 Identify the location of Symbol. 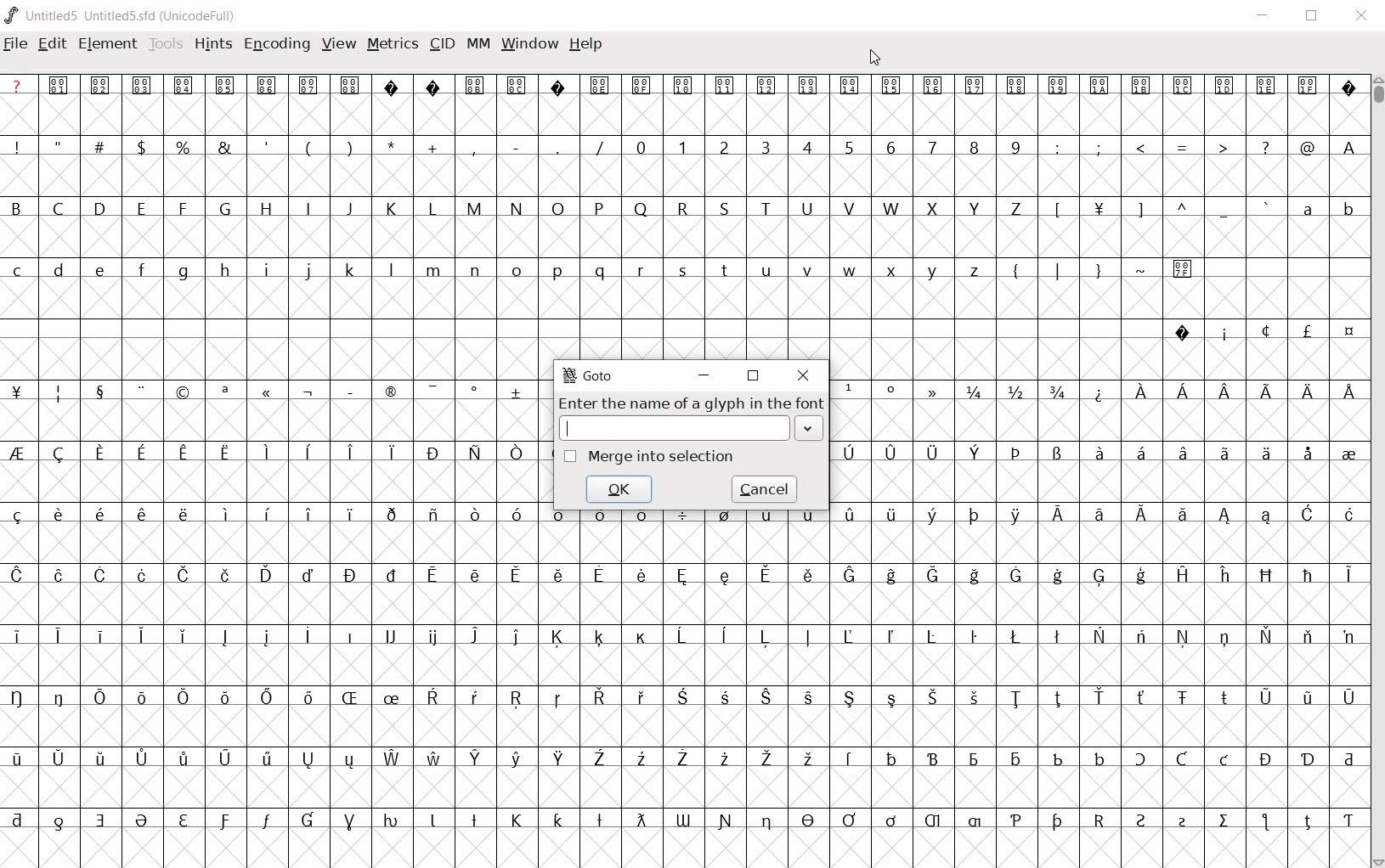
(1098, 392).